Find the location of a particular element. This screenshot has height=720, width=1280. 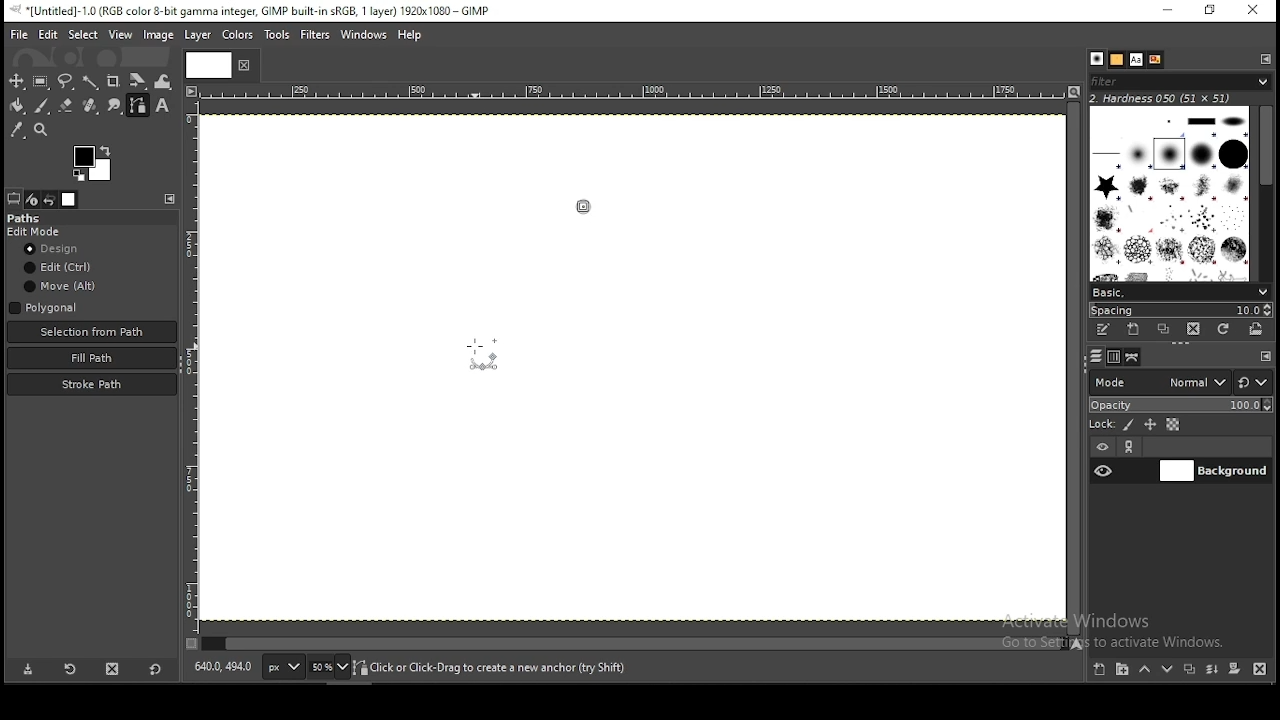

layer visibility on/off is located at coordinates (1104, 470).